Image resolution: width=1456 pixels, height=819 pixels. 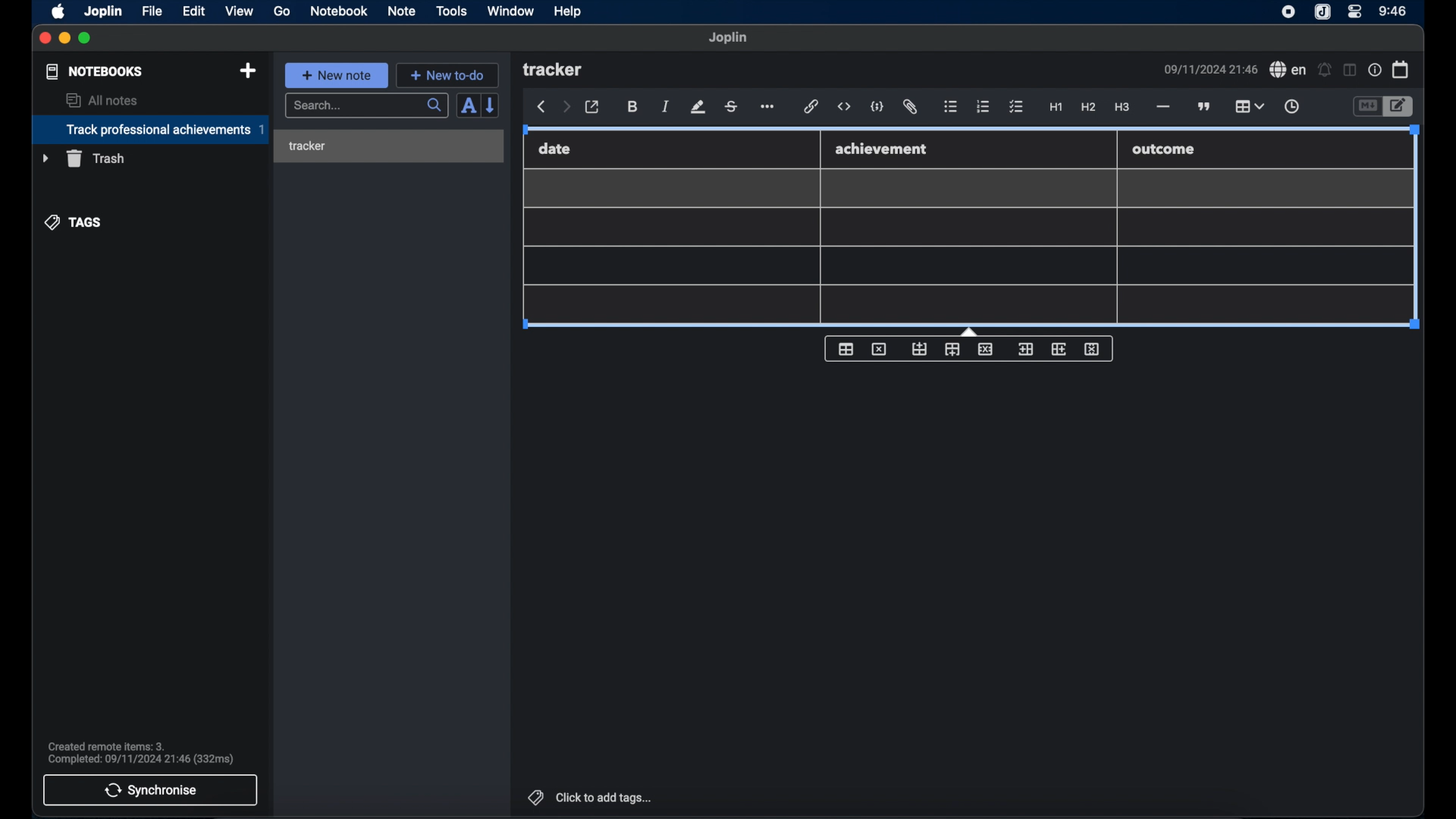 What do you see at coordinates (83, 158) in the screenshot?
I see `trash` at bounding box center [83, 158].